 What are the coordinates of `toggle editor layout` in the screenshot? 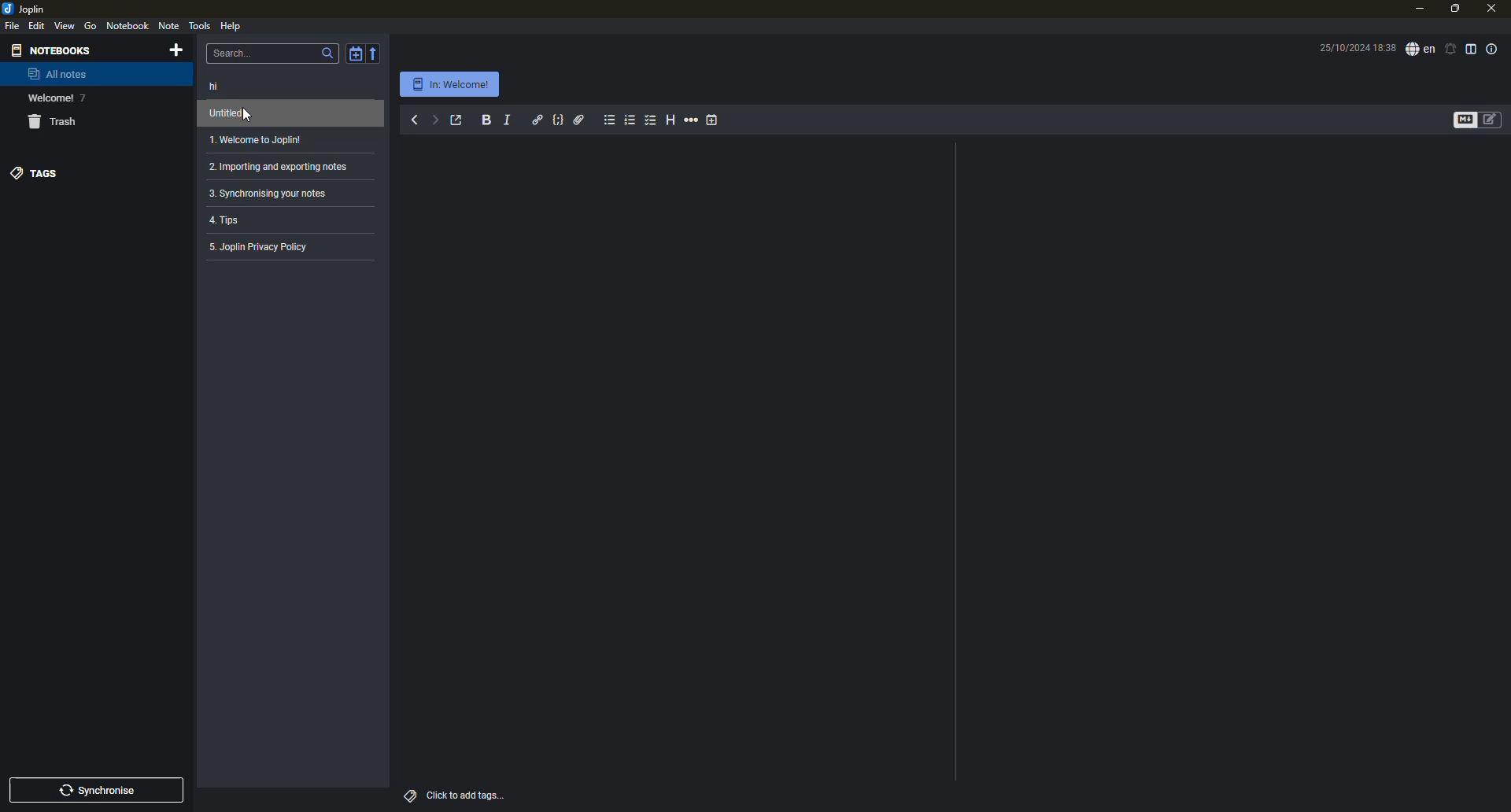 It's located at (1472, 49).